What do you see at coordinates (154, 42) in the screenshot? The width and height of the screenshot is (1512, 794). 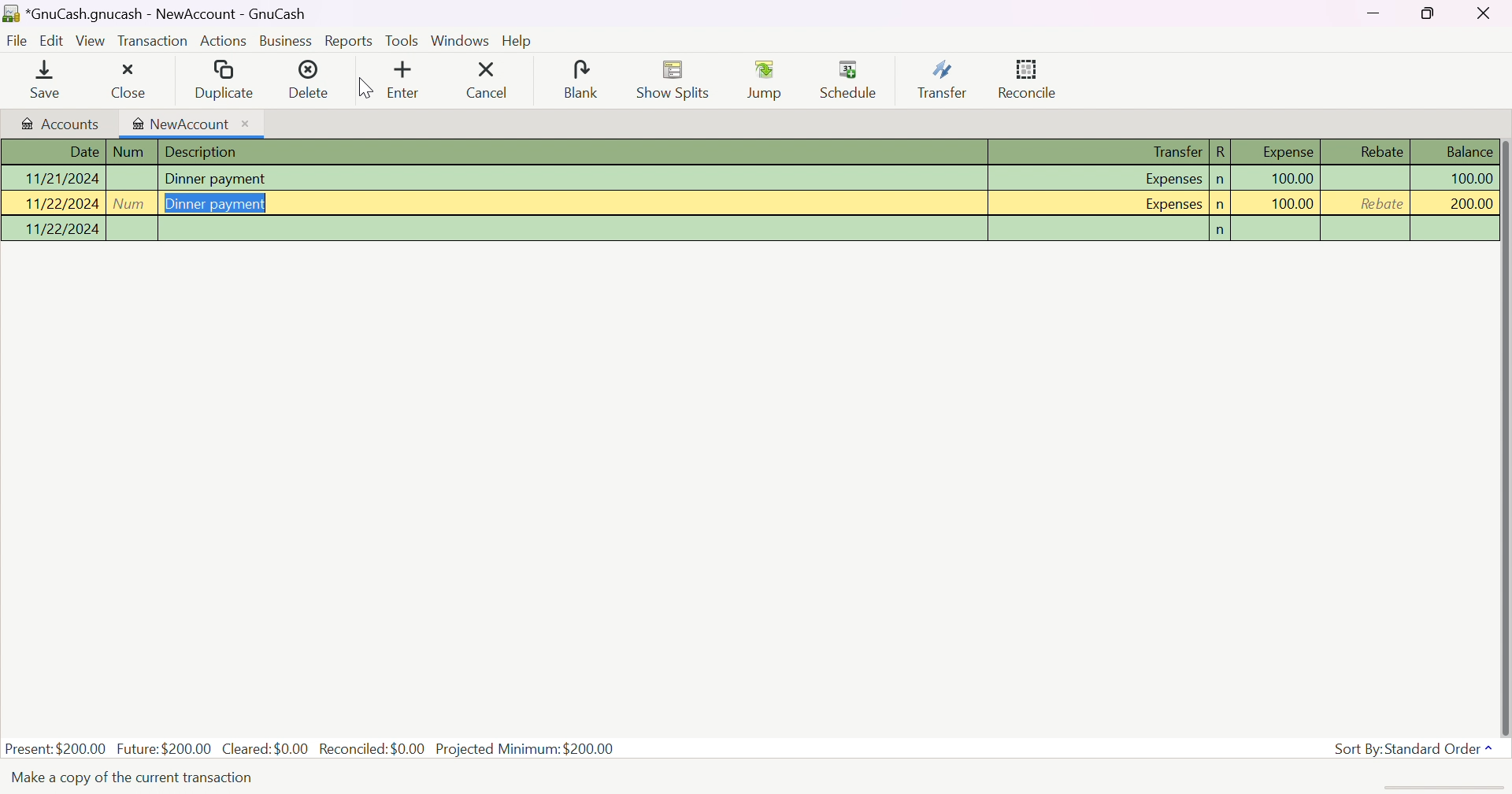 I see `Transaction` at bounding box center [154, 42].